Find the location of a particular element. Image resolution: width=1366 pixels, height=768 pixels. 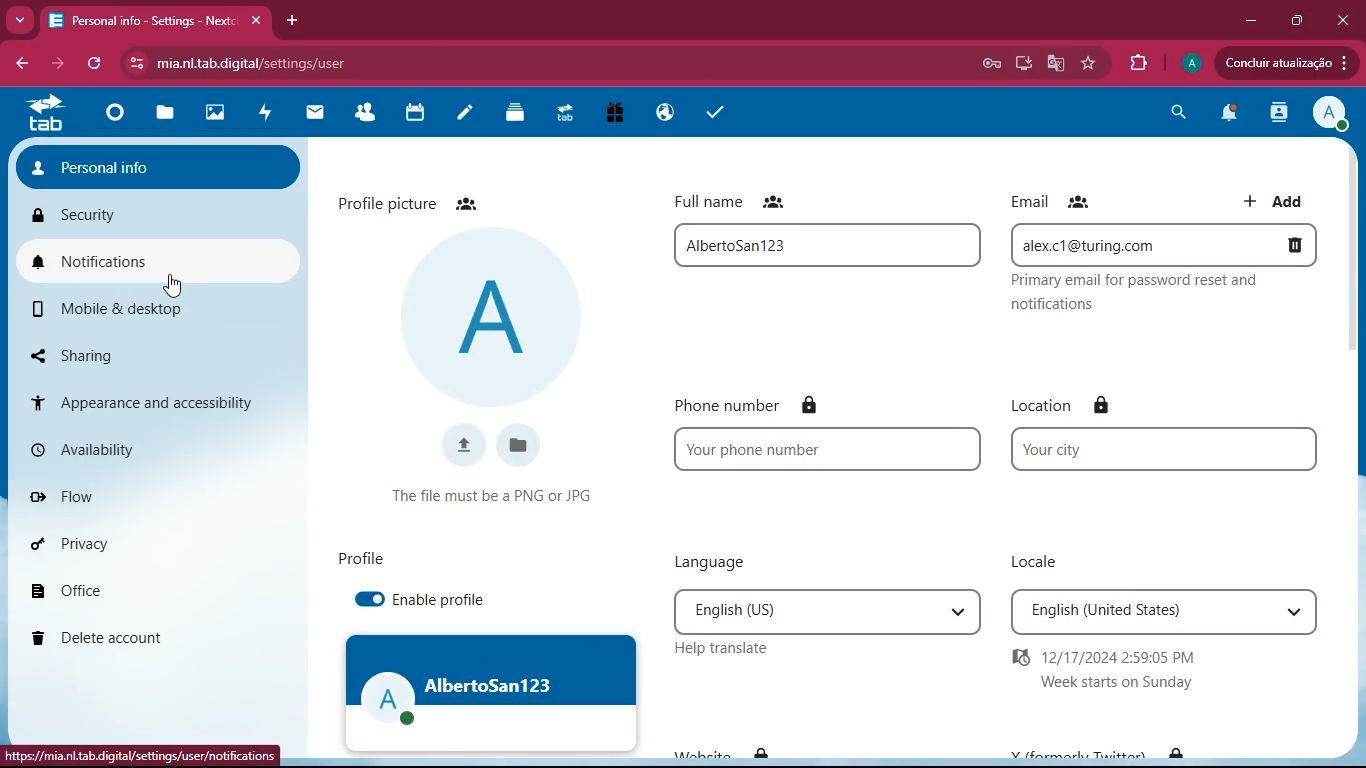

delete is located at coordinates (119, 635).